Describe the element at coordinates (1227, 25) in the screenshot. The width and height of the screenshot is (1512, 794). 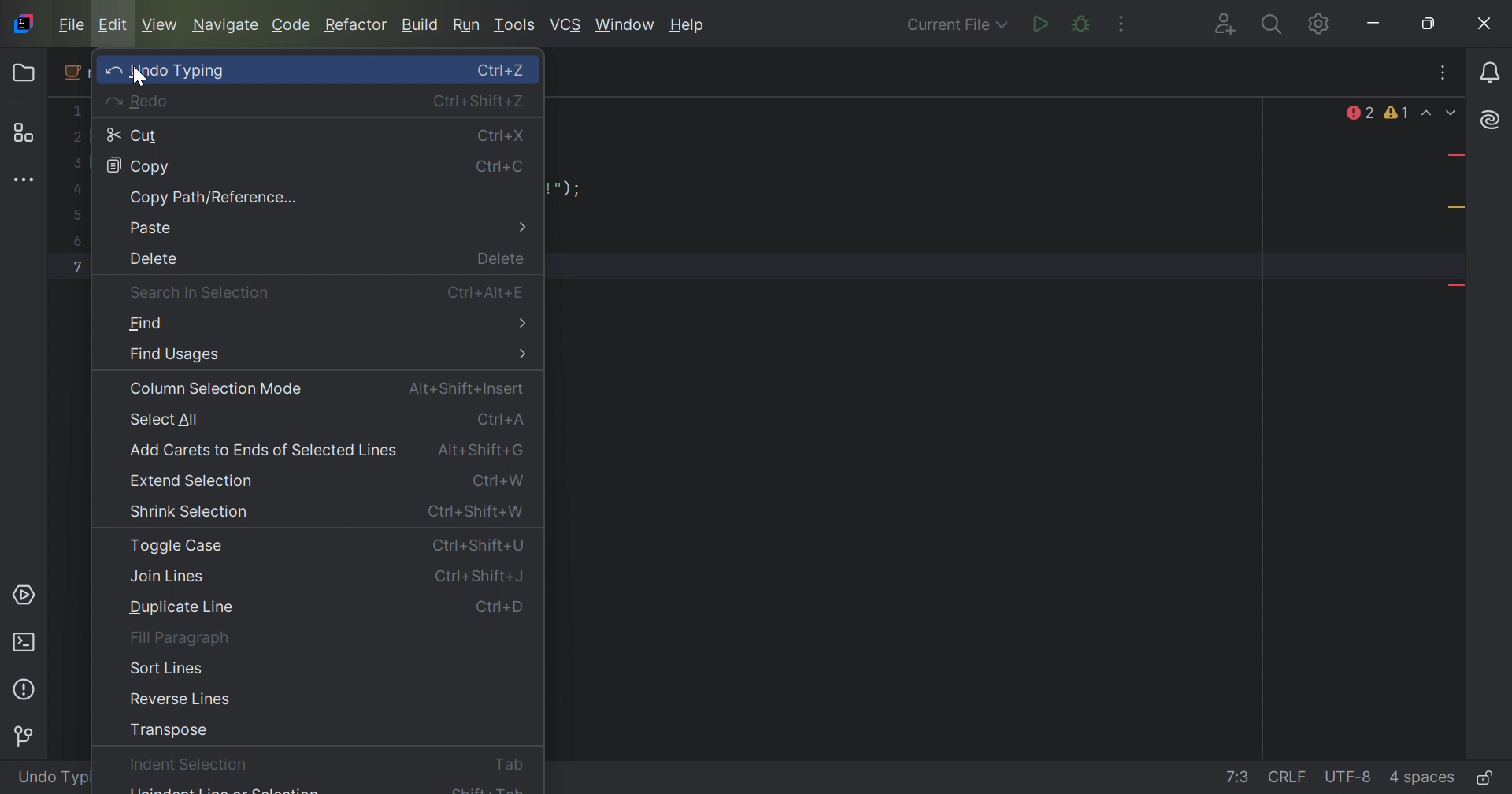
I see `Code With Me` at that location.